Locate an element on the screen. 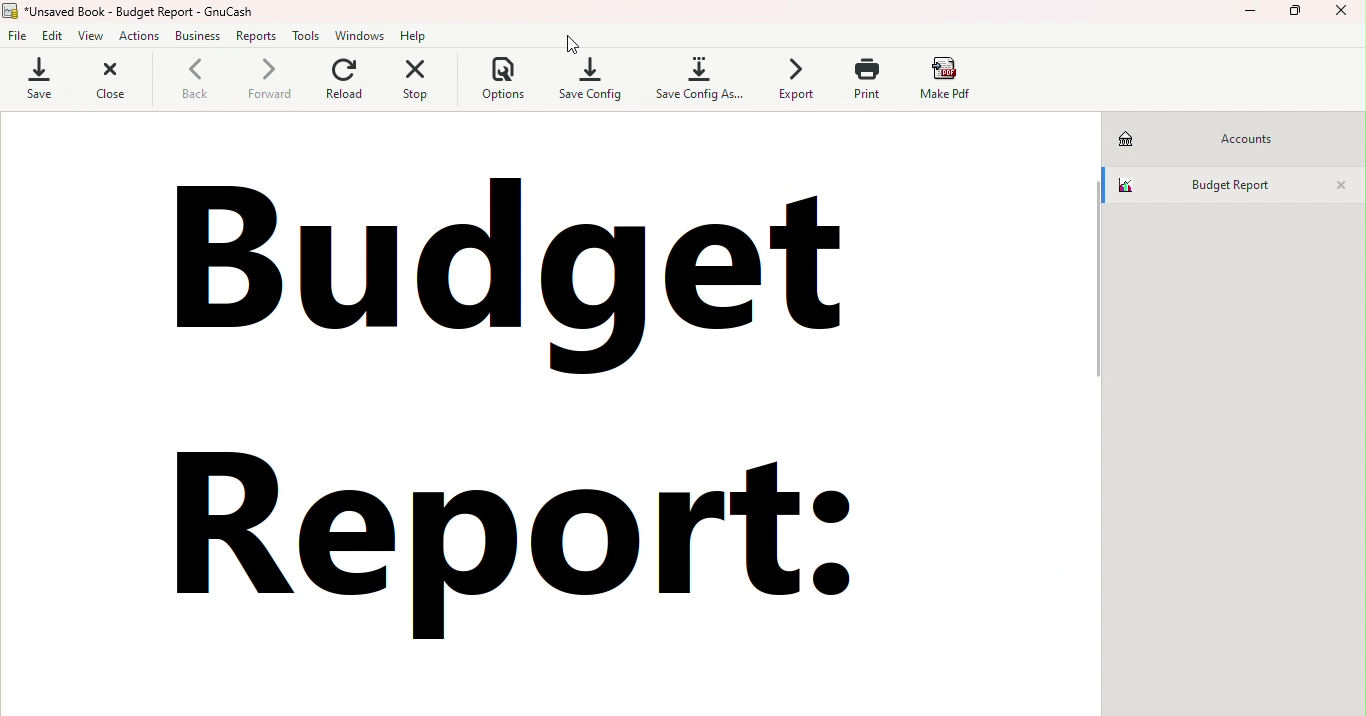 The image size is (1366, 716). File is located at coordinates (17, 37).